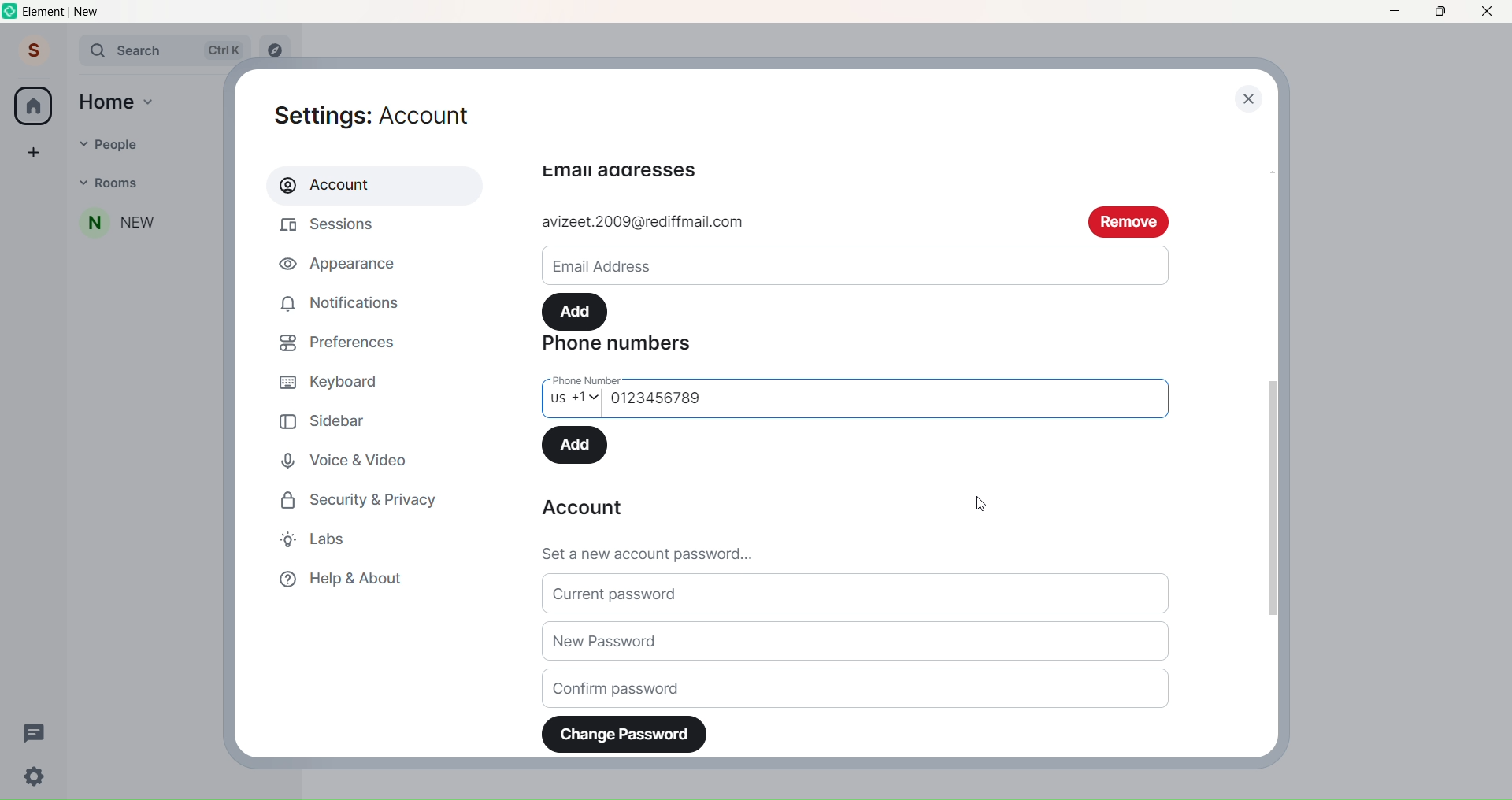 The height and width of the screenshot is (800, 1512). I want to click on Voice and Video, so click(348, 457).